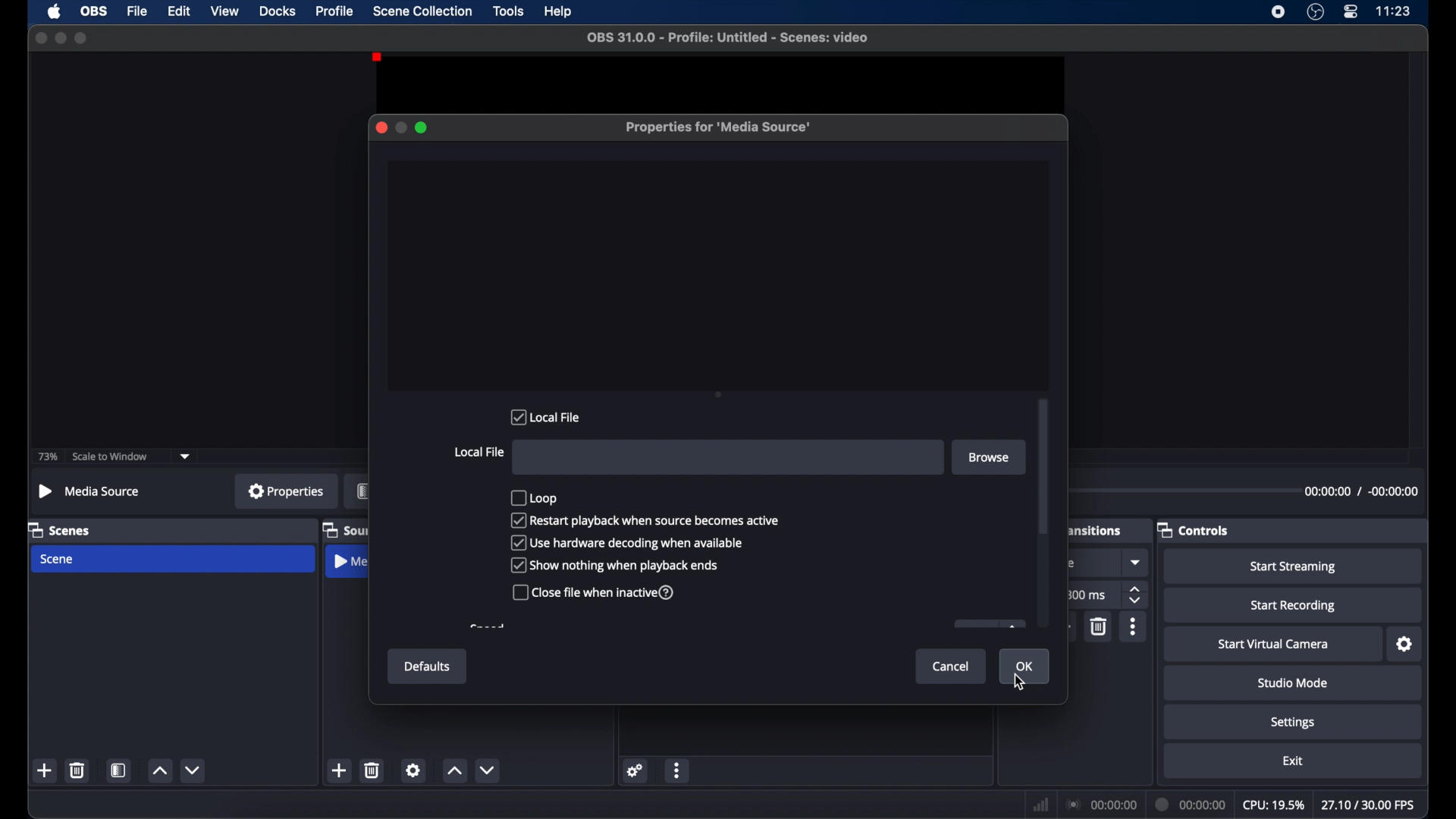  Describe the element at coordinates (1025, 667) in the screenshot. I see `ok` at that location.